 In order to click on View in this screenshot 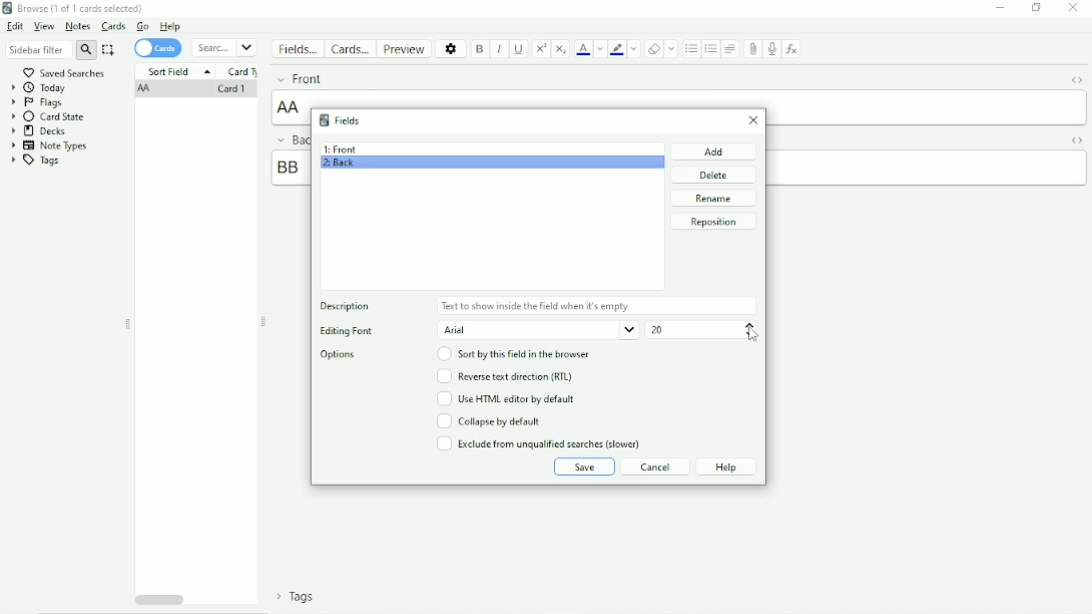, I will do `click(44, 27)`.